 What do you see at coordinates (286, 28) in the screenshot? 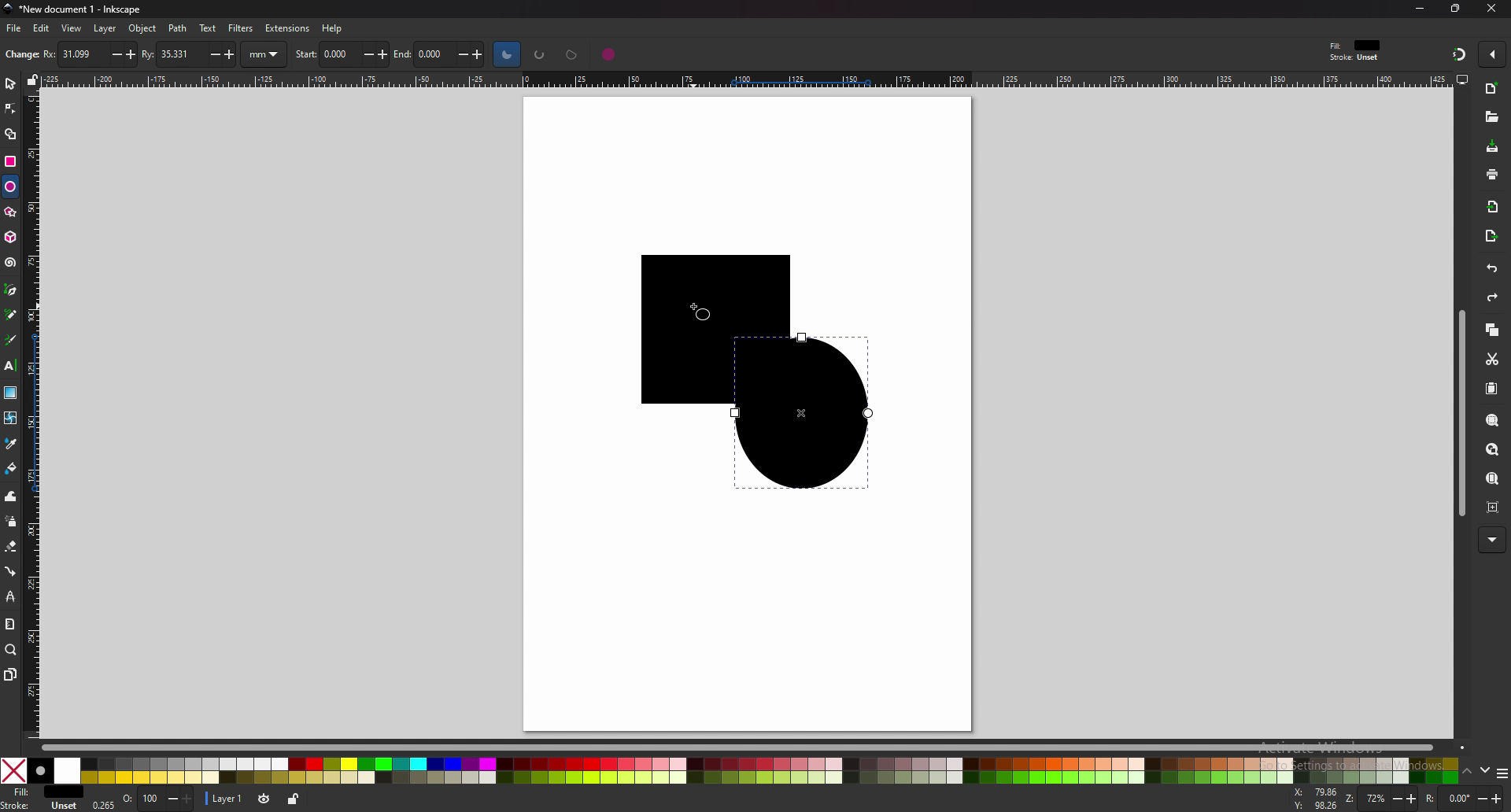
I see `extensions` at bounding box center [286, 28].